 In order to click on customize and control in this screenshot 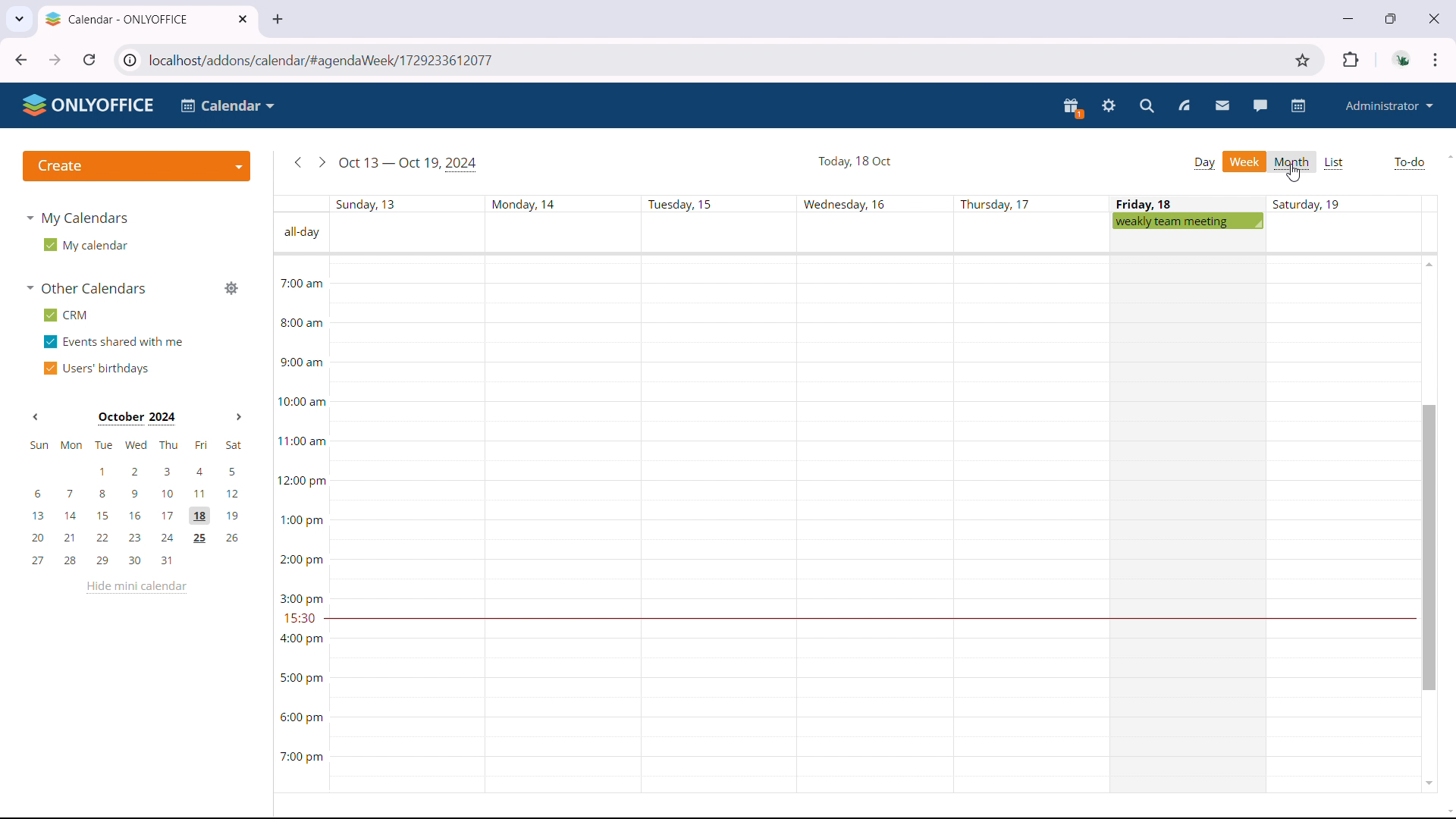, I will do `click(1436, 60)`.